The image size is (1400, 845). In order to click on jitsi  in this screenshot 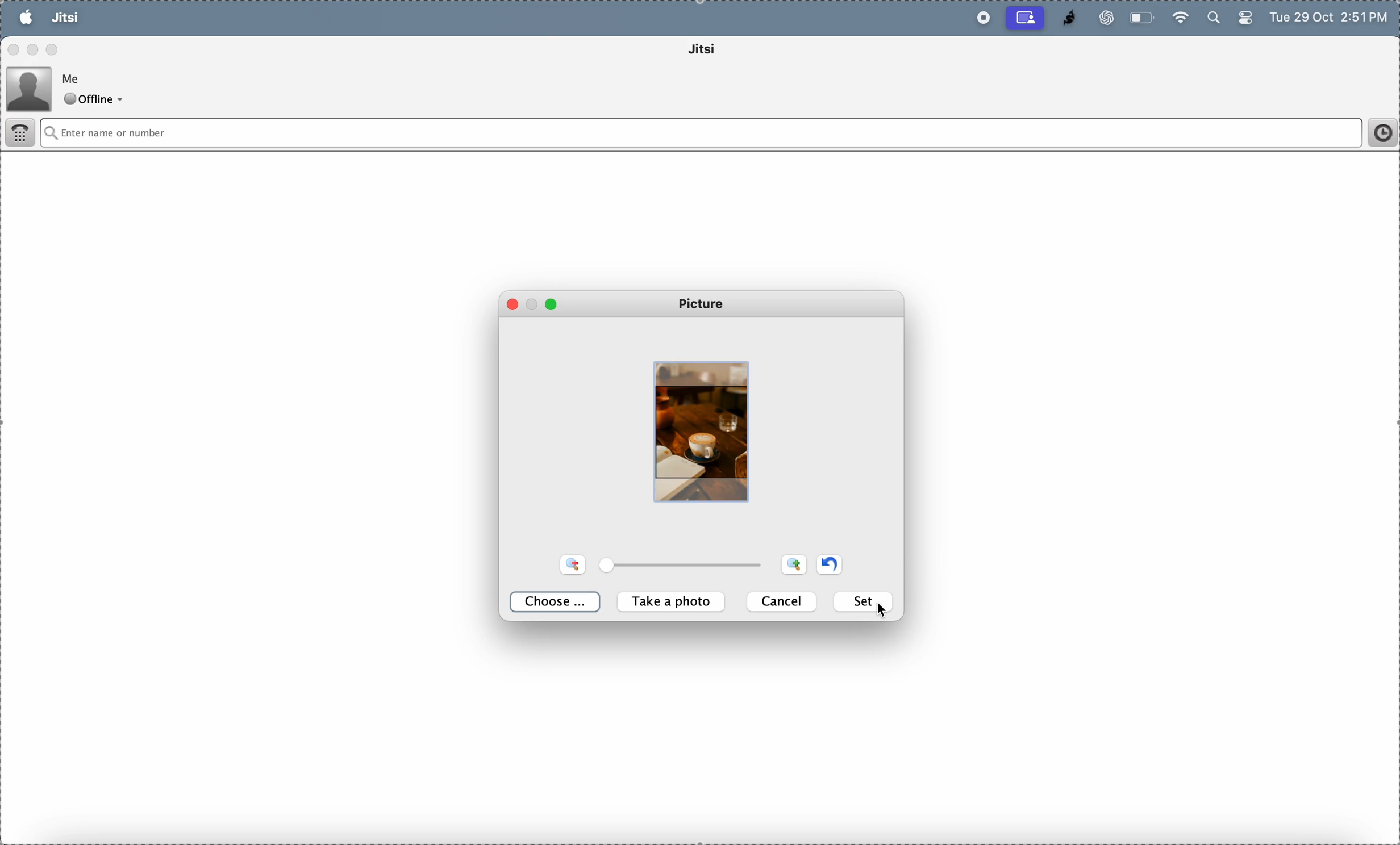, I will do `click(718, 51)`.